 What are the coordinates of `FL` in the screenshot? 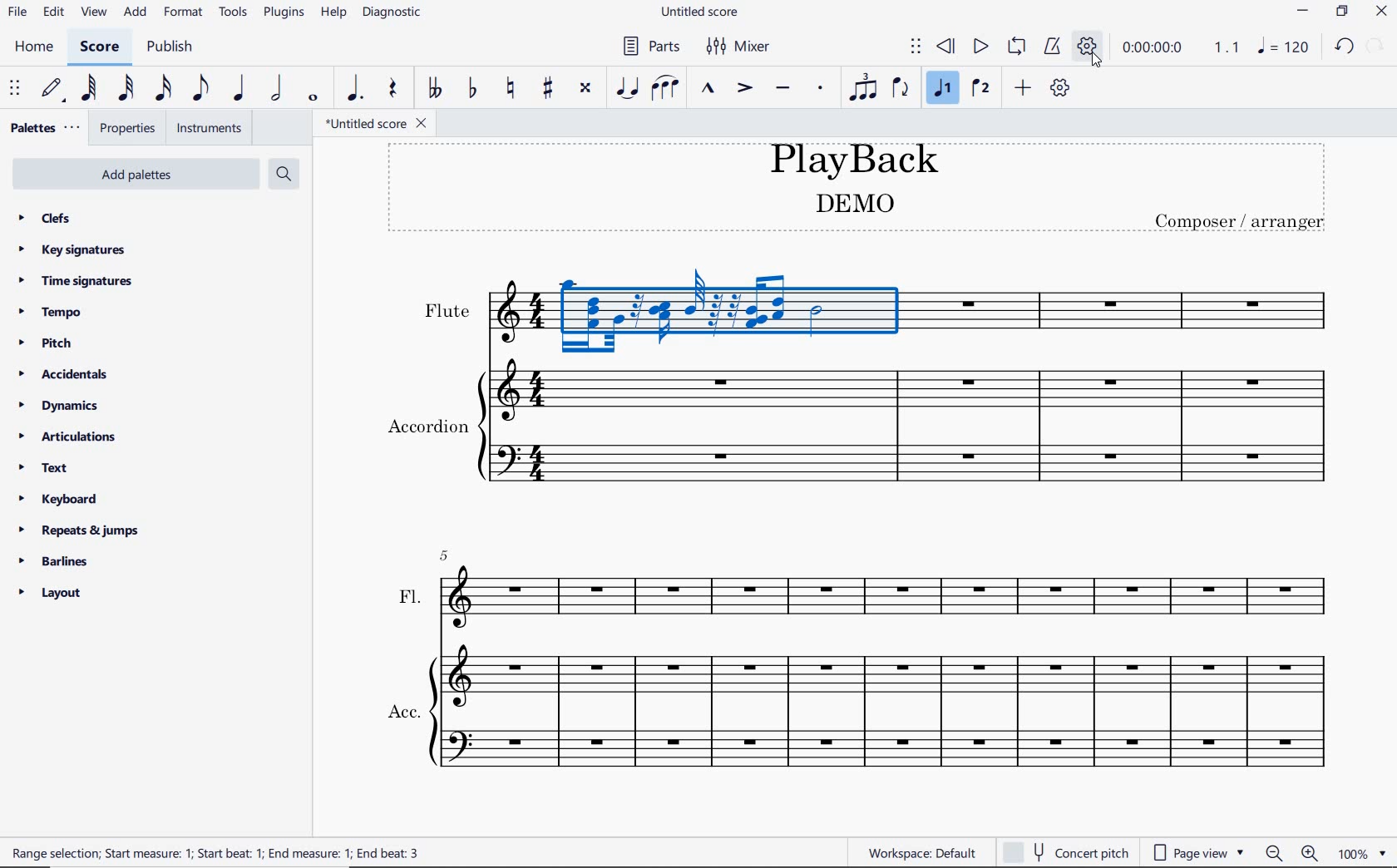 It's located at (863, 589).